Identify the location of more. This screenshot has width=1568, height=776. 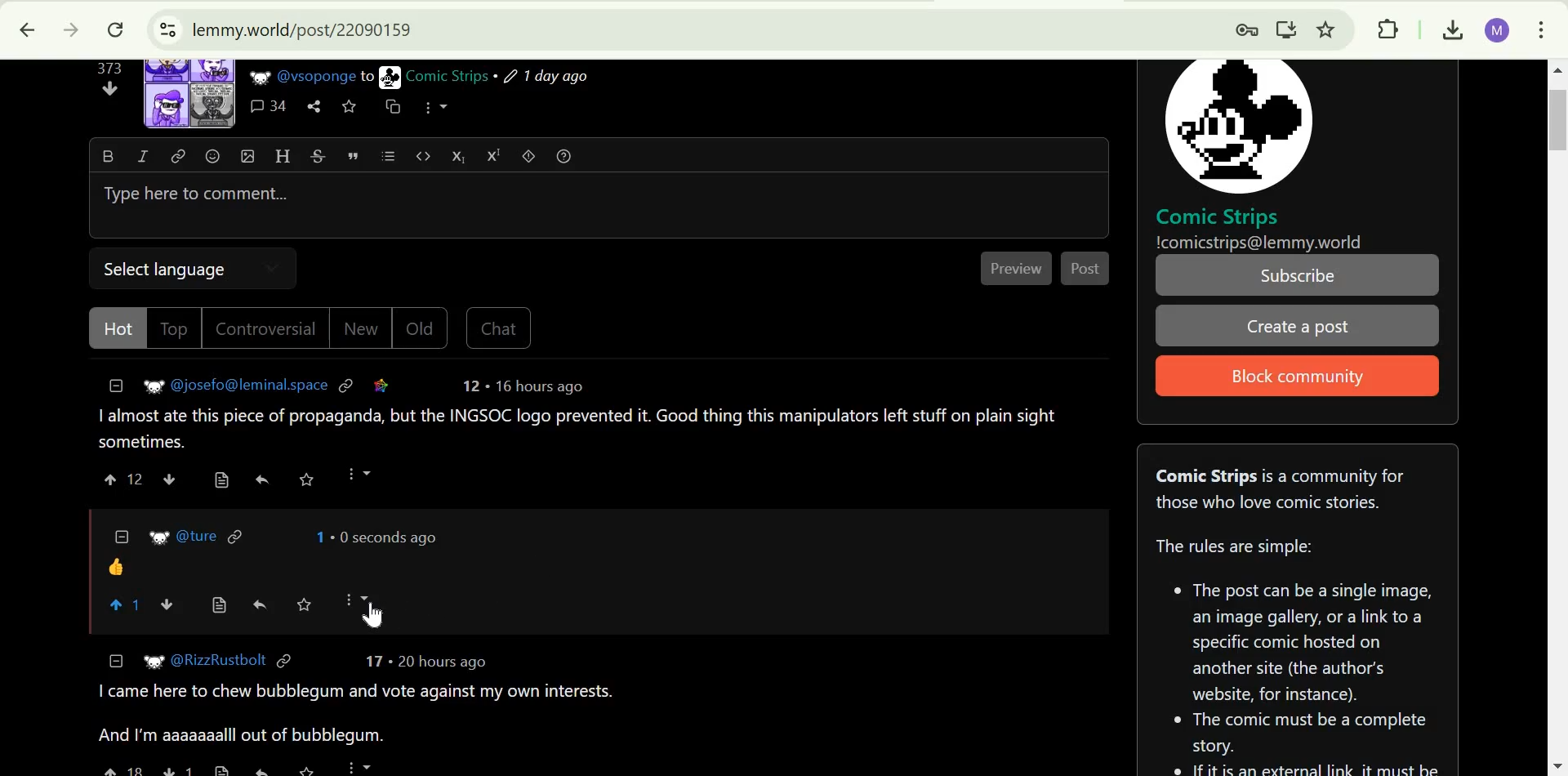
(360, 766).